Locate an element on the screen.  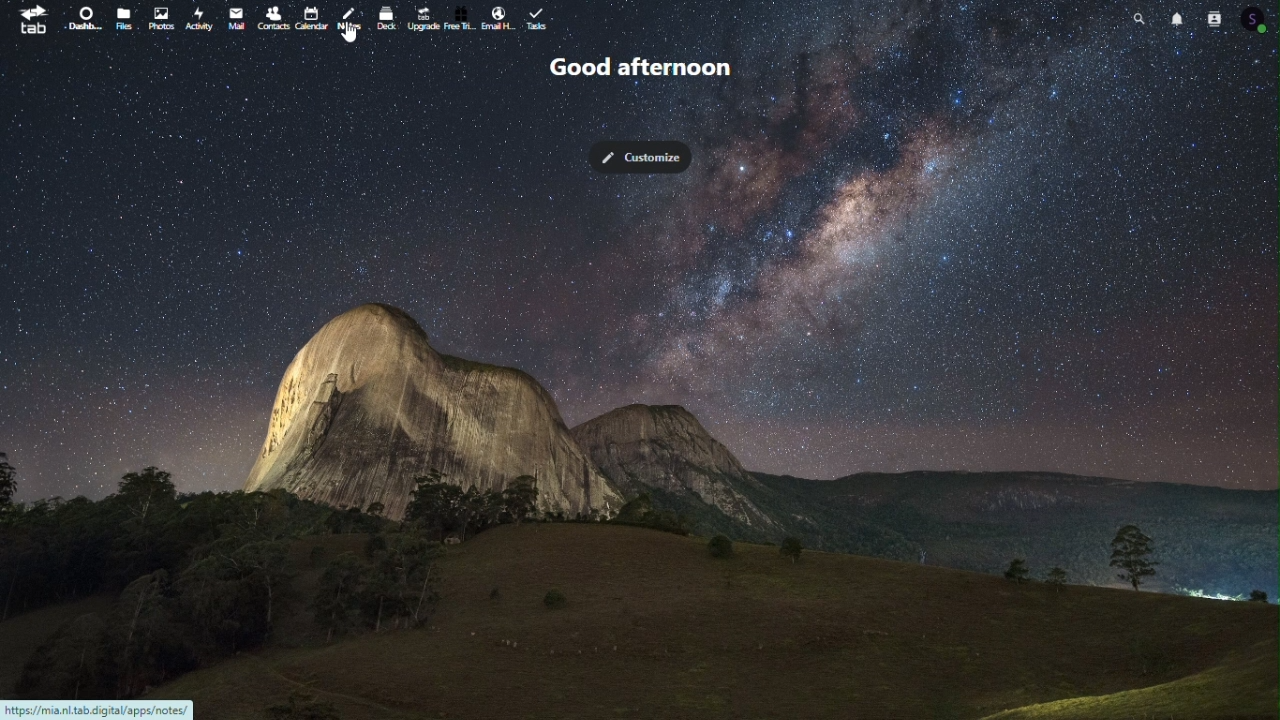
upgrade is located at coordinates (420, 16).